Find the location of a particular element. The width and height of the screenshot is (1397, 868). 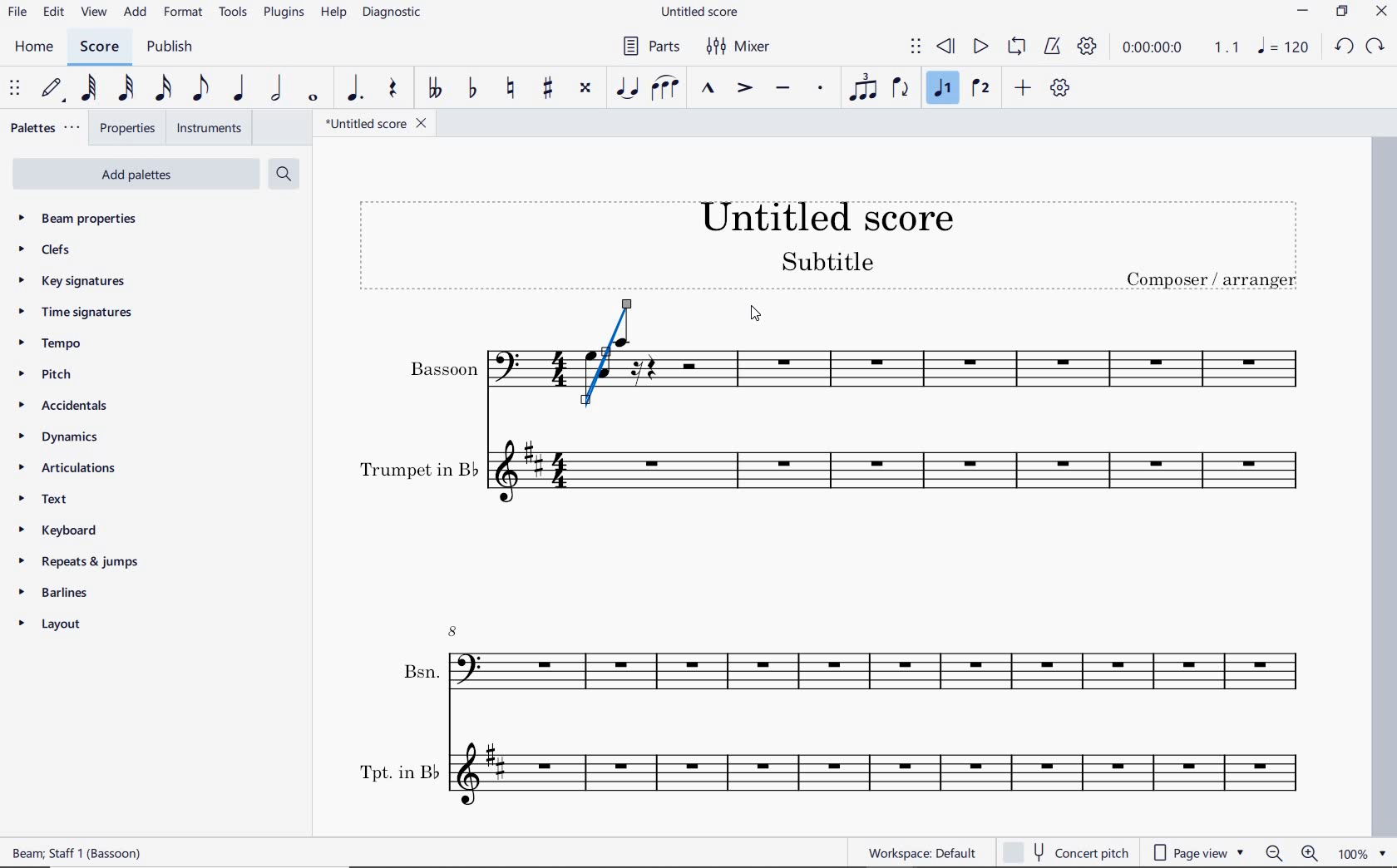

select to move is located at coordinates (916, 46).